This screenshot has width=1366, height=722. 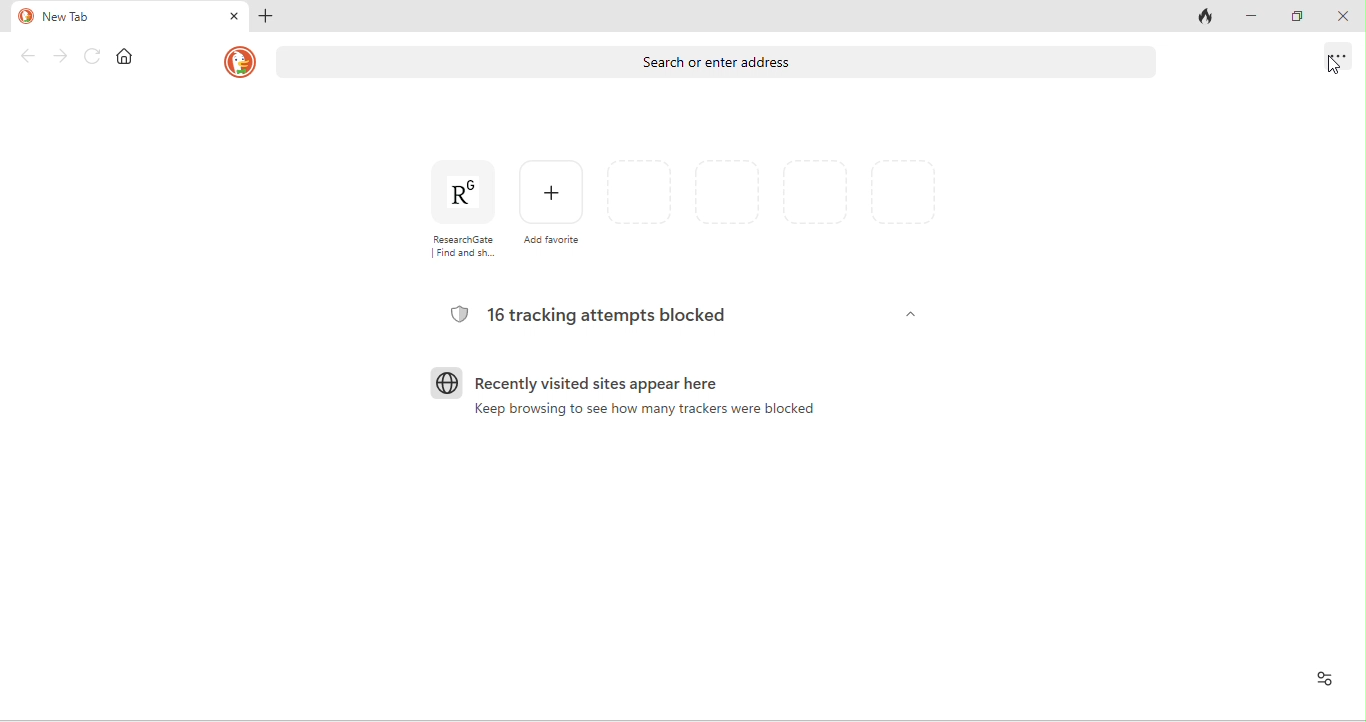 What do you see at coordinates (625, 403) in the screenshot?
I see `recently visited sites appear here keep browsing to see how many trackers were blocked` at bounding box center [625, 403].